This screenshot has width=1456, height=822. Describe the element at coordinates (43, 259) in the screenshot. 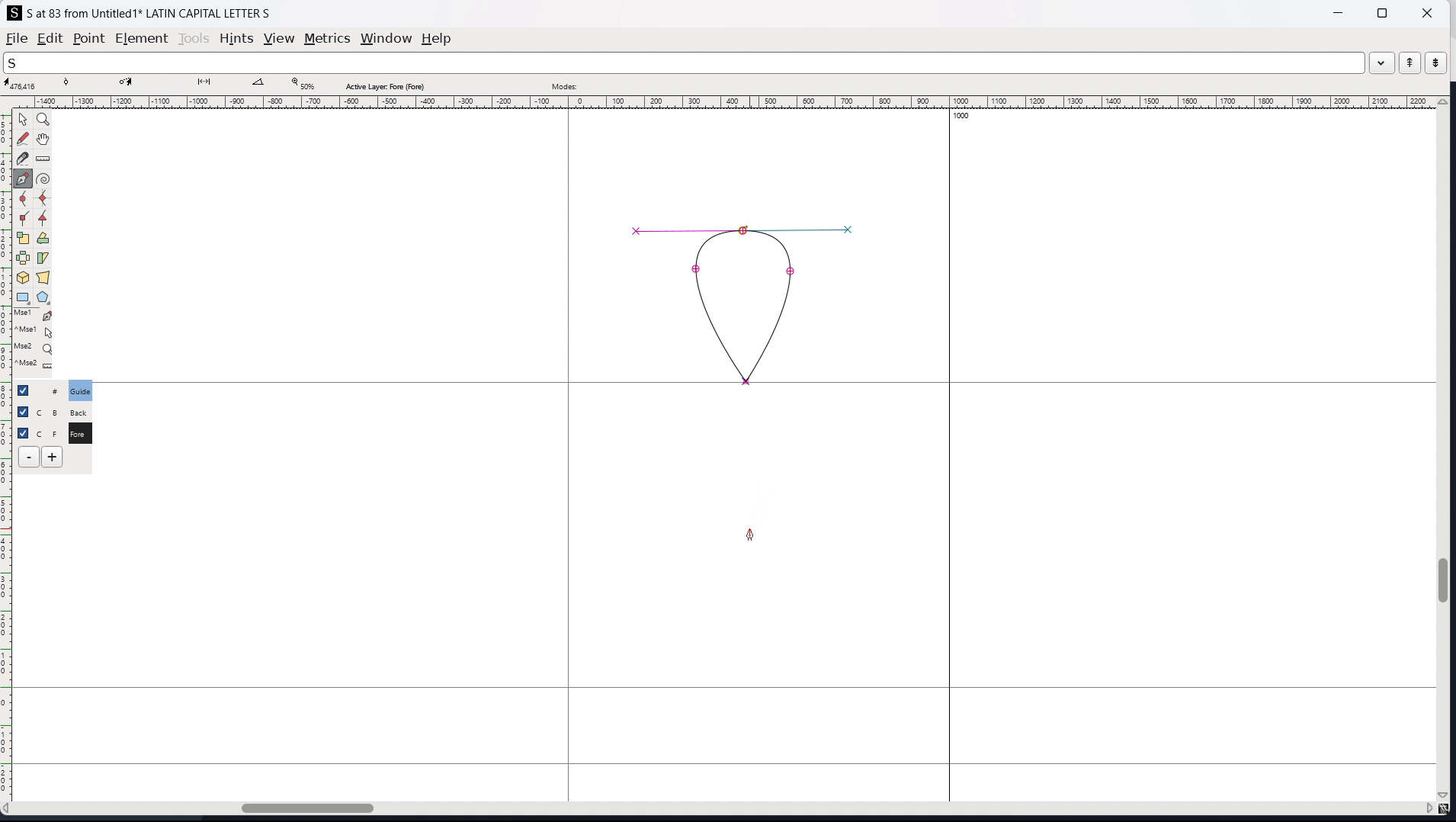

I see `skew selection` at that location.